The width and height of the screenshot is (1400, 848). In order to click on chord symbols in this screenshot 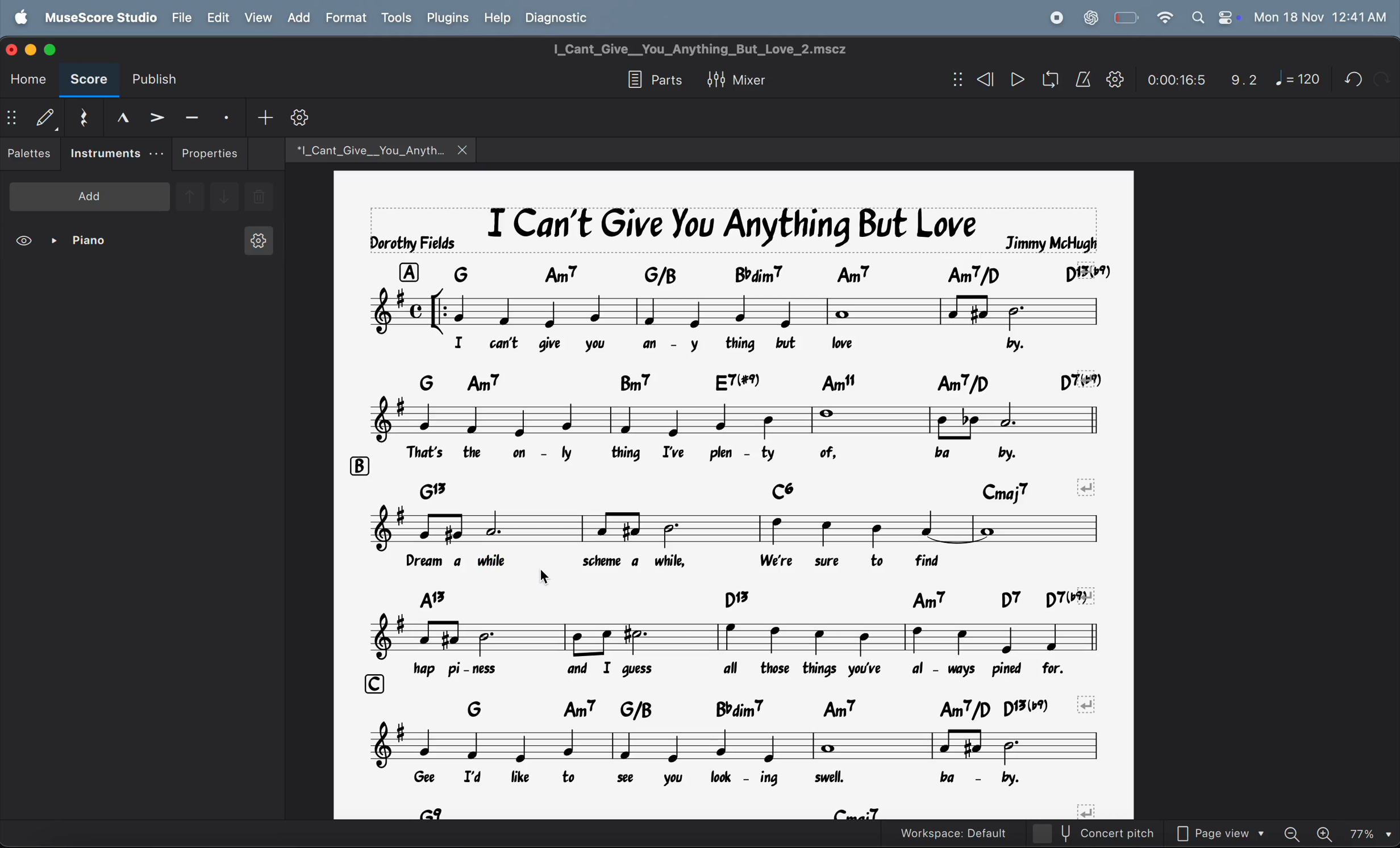, I will do `click(765, 598)`.